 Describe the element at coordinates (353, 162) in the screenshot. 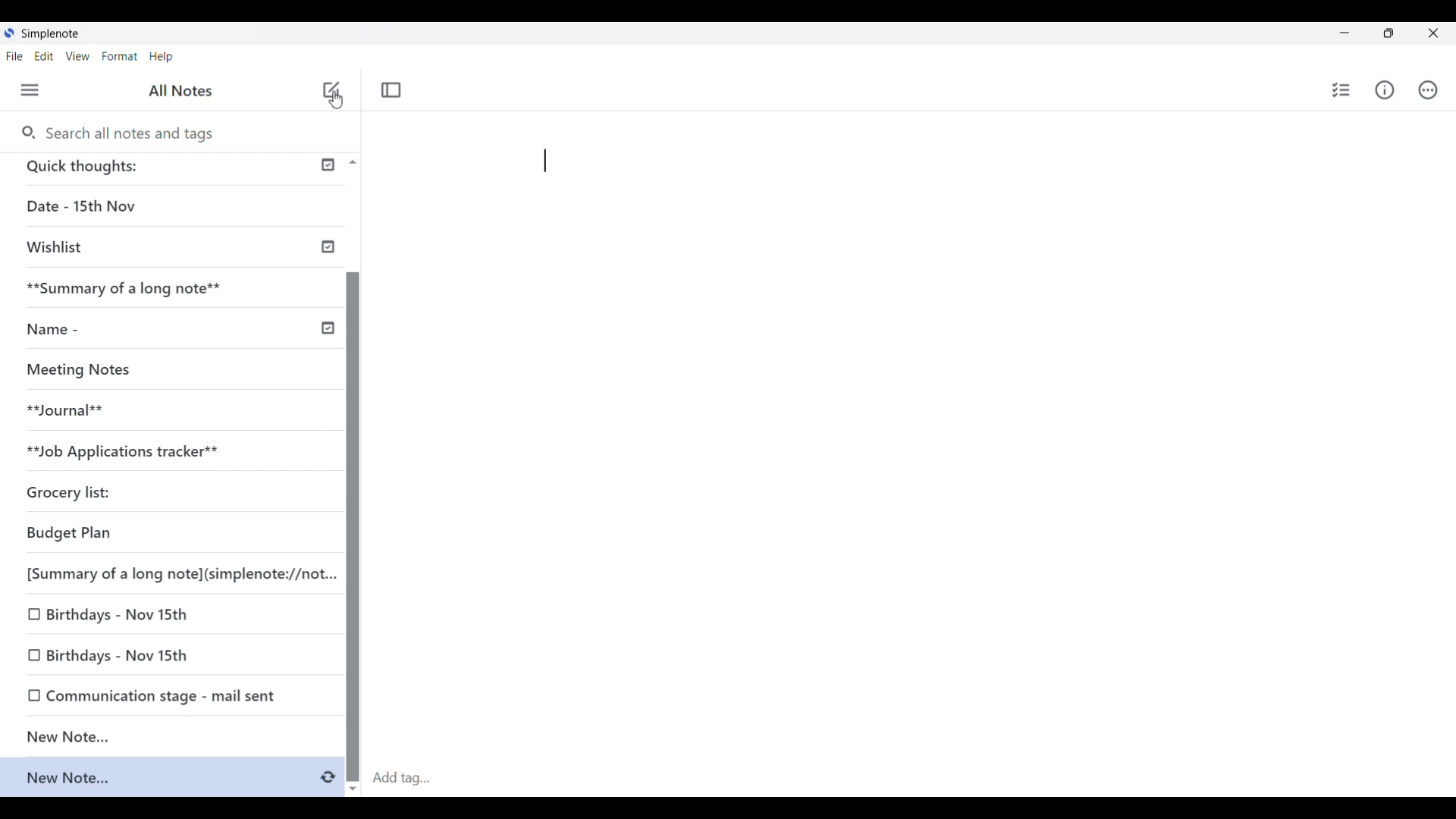

I see `Quick slide to top` at that location.